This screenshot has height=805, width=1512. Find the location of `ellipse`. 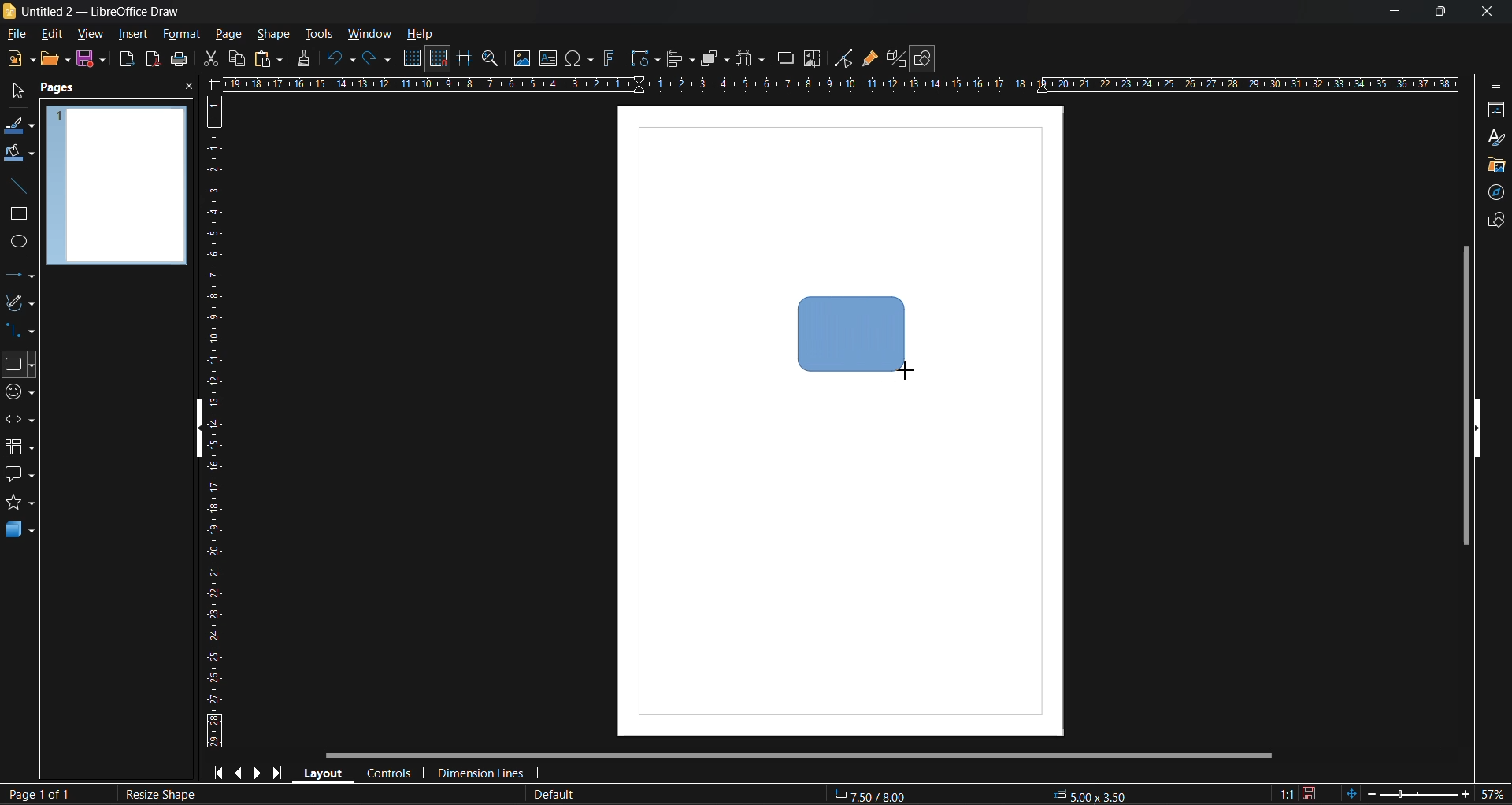

ellipse is located at coordinates (20, 243).